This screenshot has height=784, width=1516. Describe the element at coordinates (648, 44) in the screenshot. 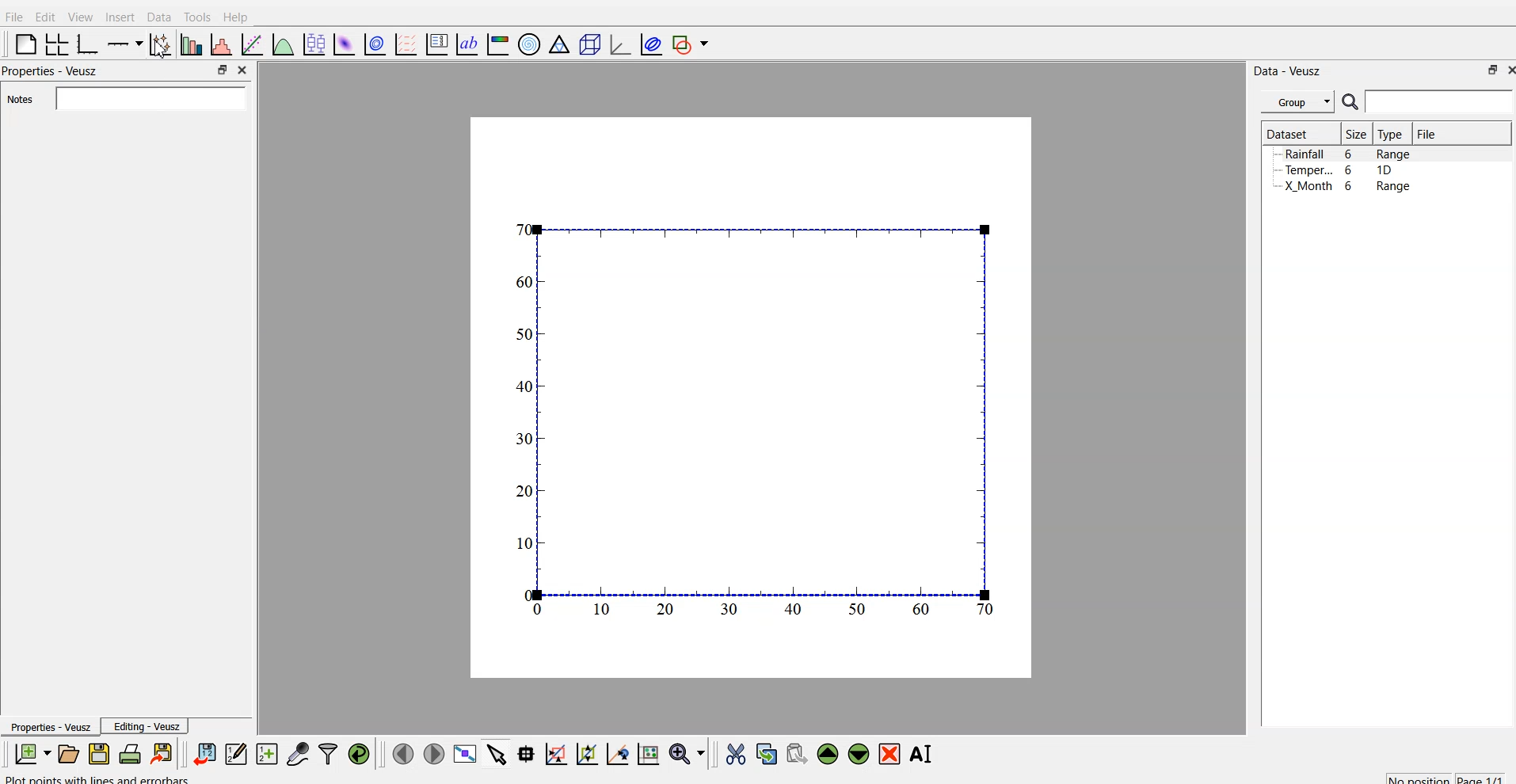

I see `plot covariance ellipses` at that location.